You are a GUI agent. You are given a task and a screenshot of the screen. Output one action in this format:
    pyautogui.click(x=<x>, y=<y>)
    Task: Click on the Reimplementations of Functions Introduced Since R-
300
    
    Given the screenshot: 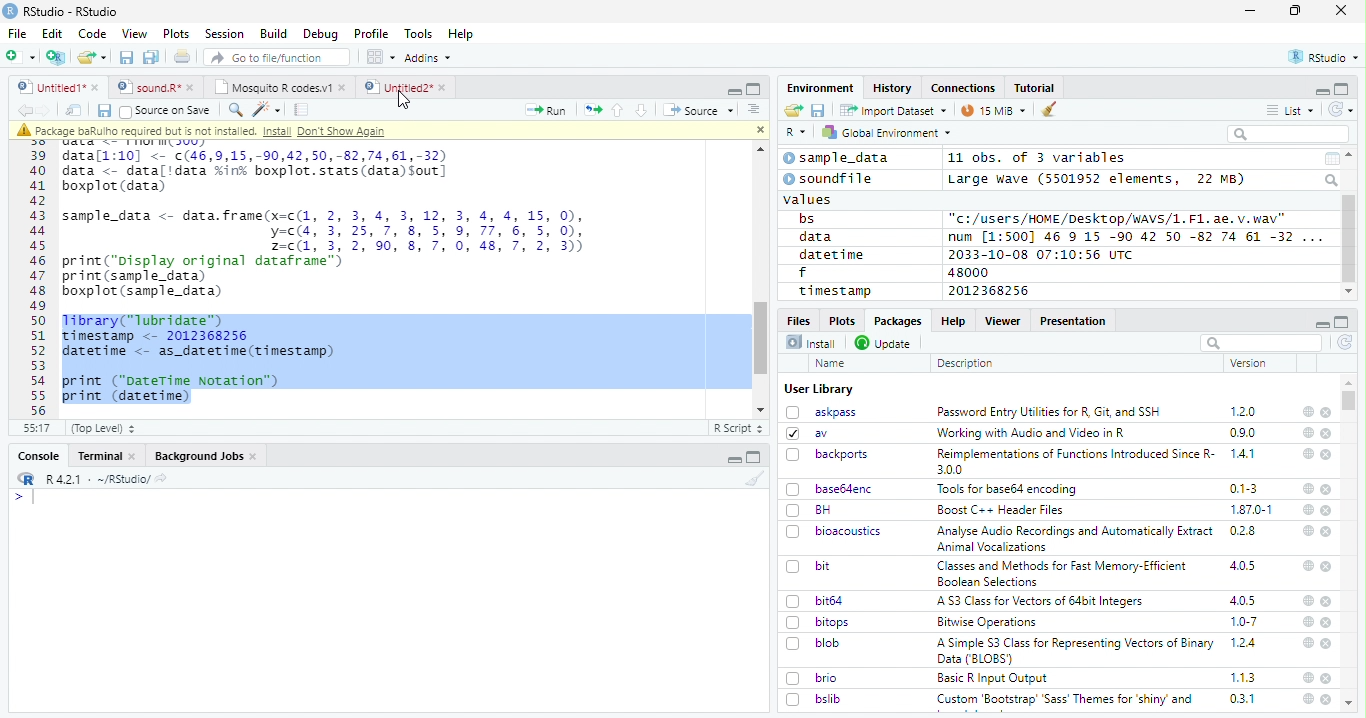 What is the action you would take?
    pyautogui.click(x=1074, y=461)
    